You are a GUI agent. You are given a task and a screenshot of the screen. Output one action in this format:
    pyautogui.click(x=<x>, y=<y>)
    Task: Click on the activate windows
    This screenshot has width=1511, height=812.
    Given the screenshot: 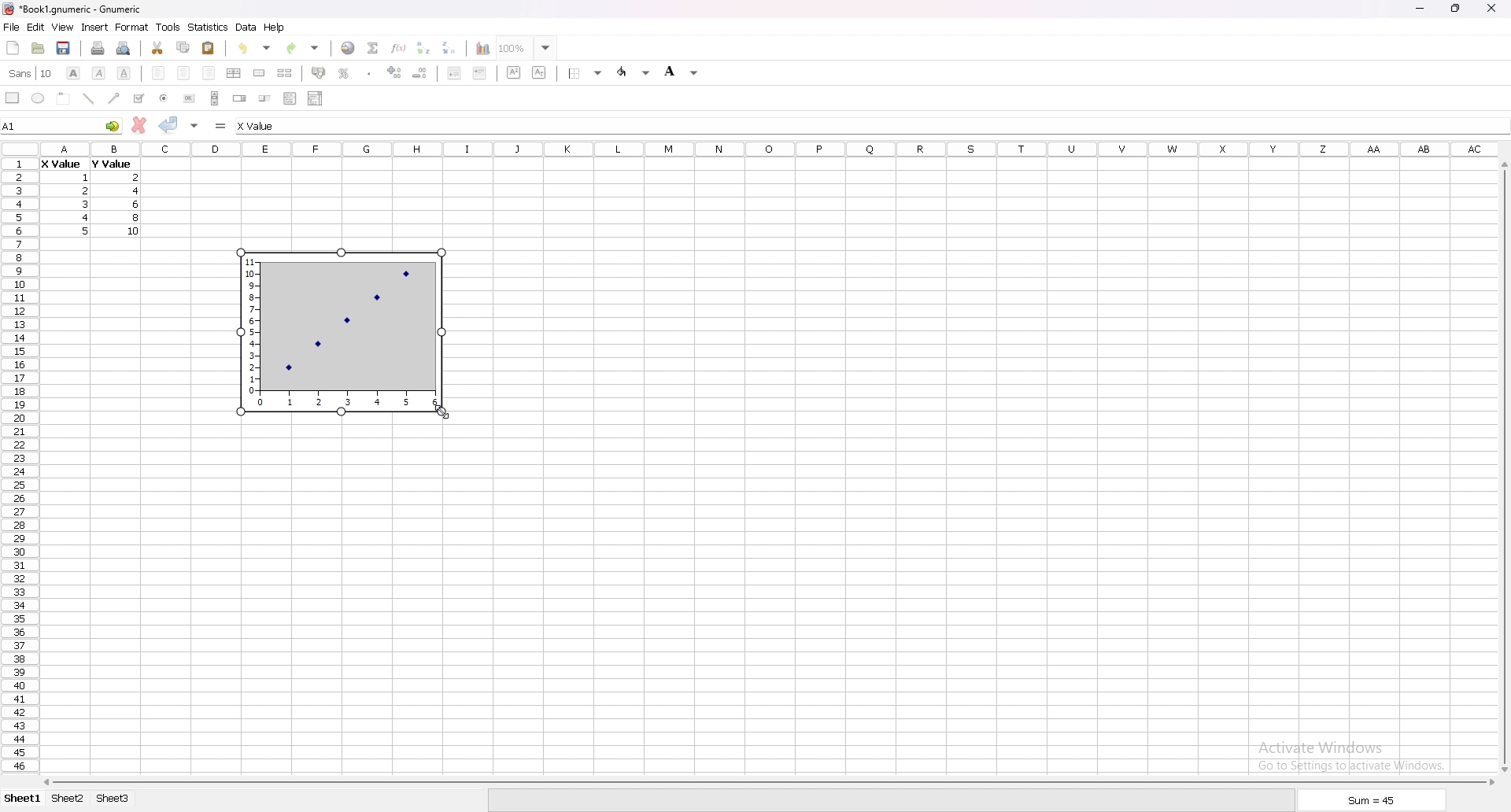 What is the action you would take?
    pyautogui.click(x=1357, y=754)
    